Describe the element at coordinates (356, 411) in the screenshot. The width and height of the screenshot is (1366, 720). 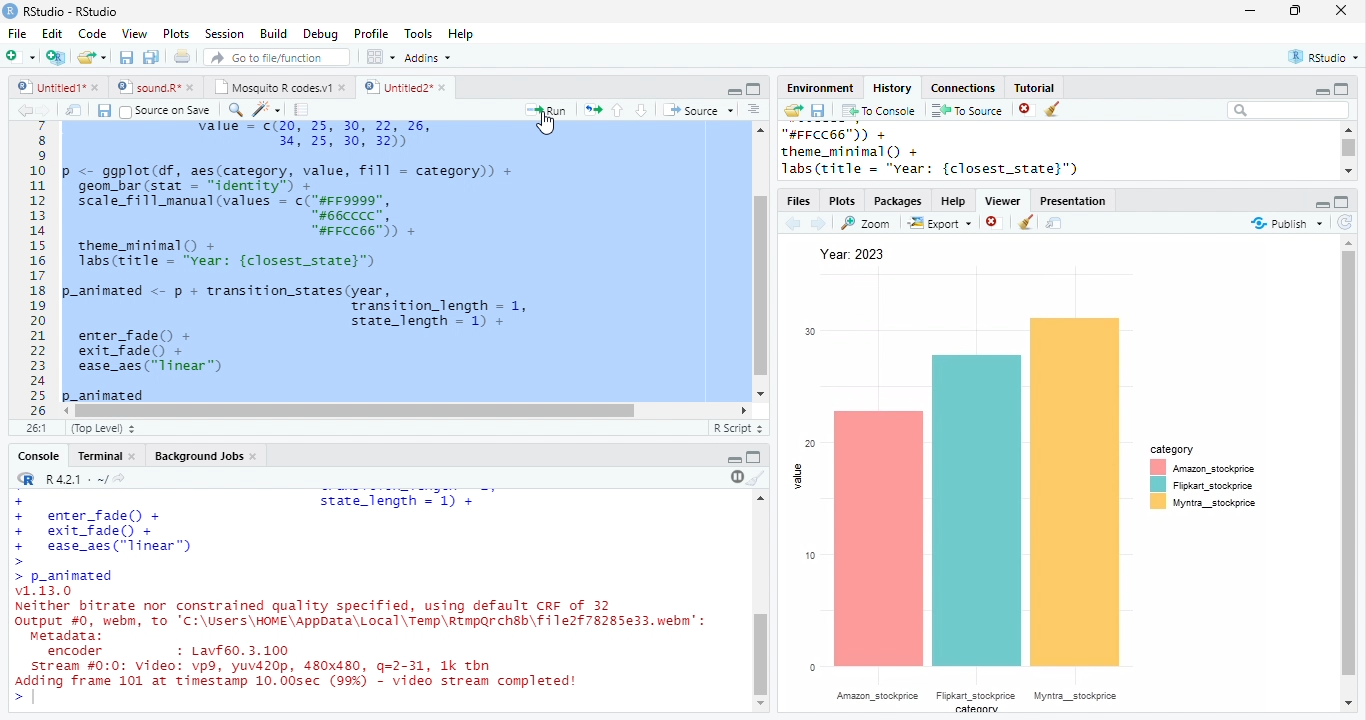
I see `scroll bar` at that location.